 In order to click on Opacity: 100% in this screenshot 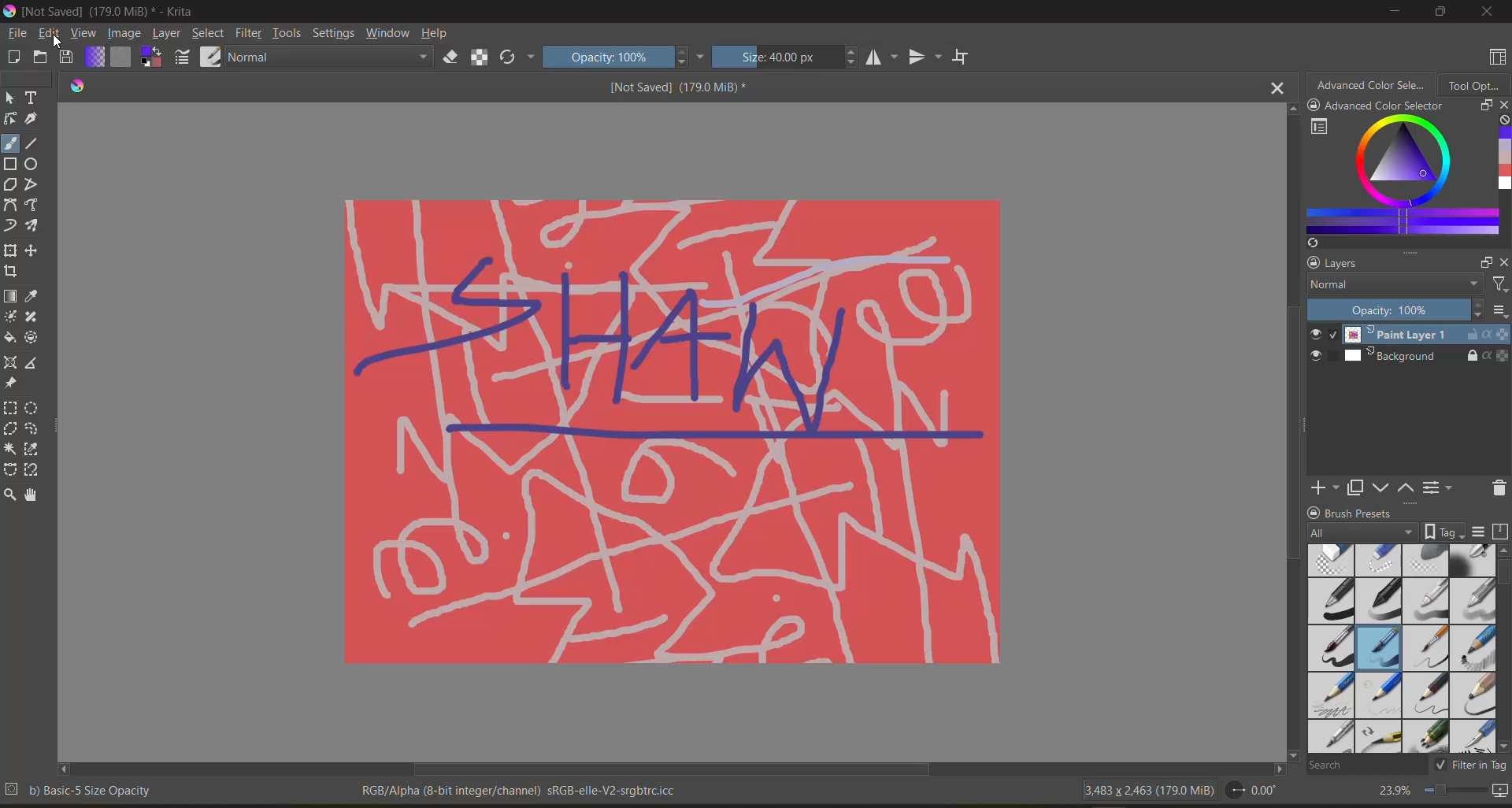, I will do `click(1396, 310)`.